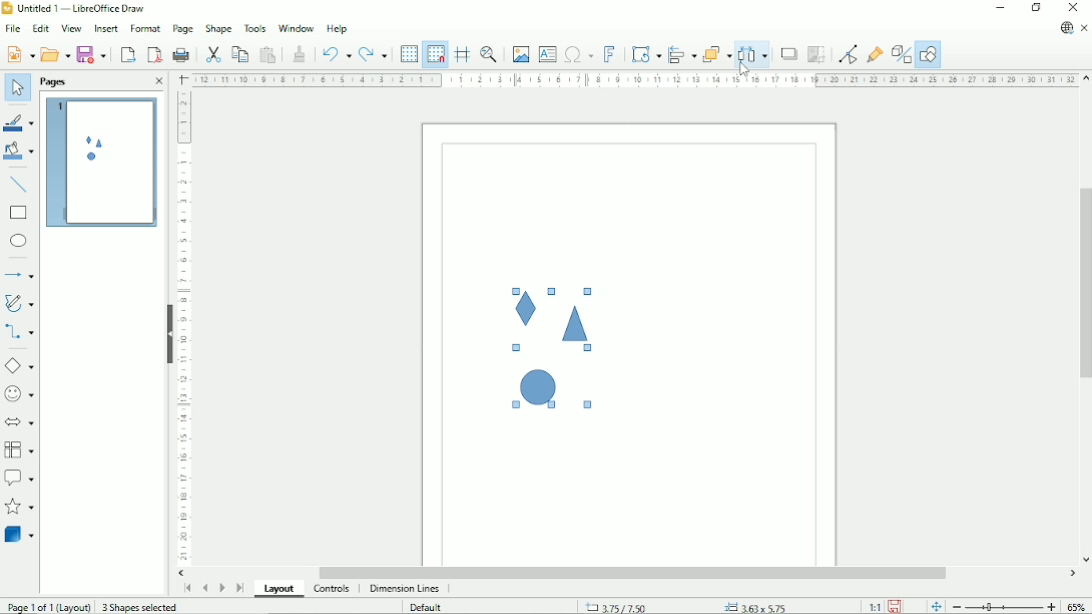 This screenshot has height=614, width=1092. I want to click on View, so click(71, 27).